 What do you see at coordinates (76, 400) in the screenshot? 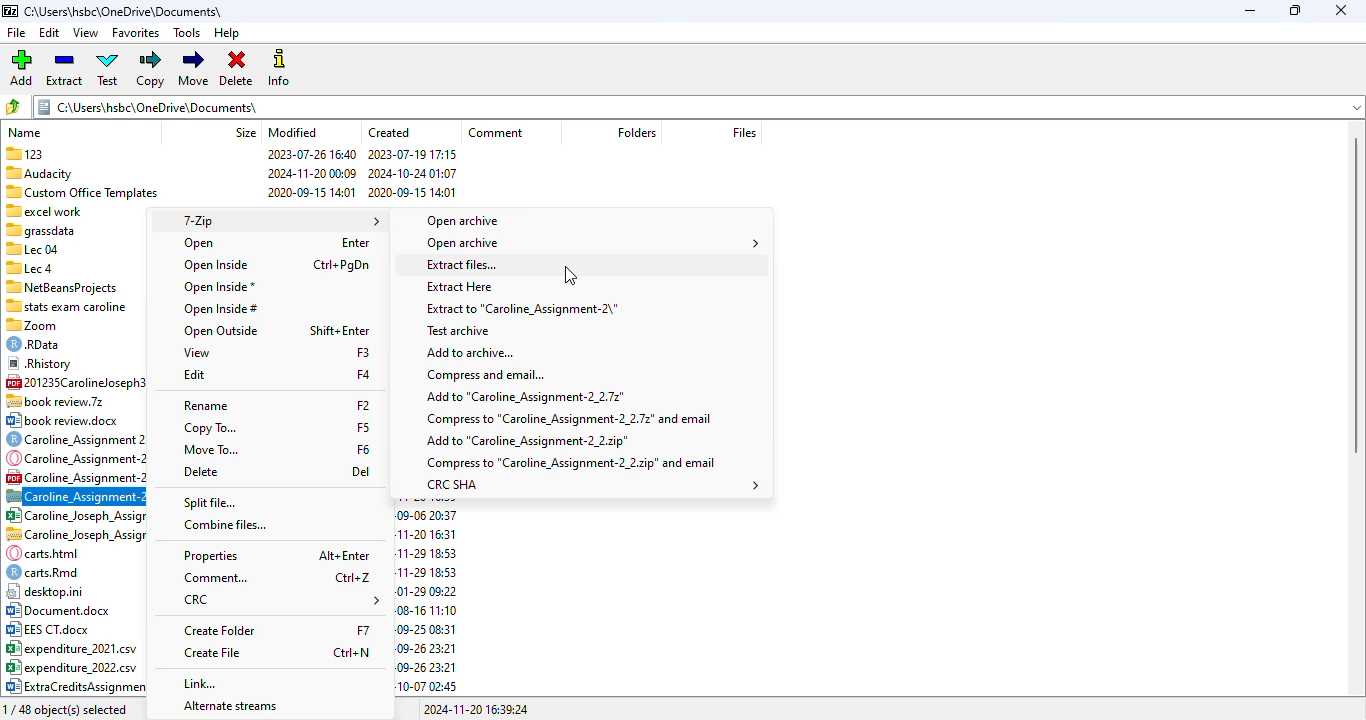
I see `25 book review.7z 10065 2024-11-20 15:49 2024-11-20 15:49` at bounding box center [76, 400].